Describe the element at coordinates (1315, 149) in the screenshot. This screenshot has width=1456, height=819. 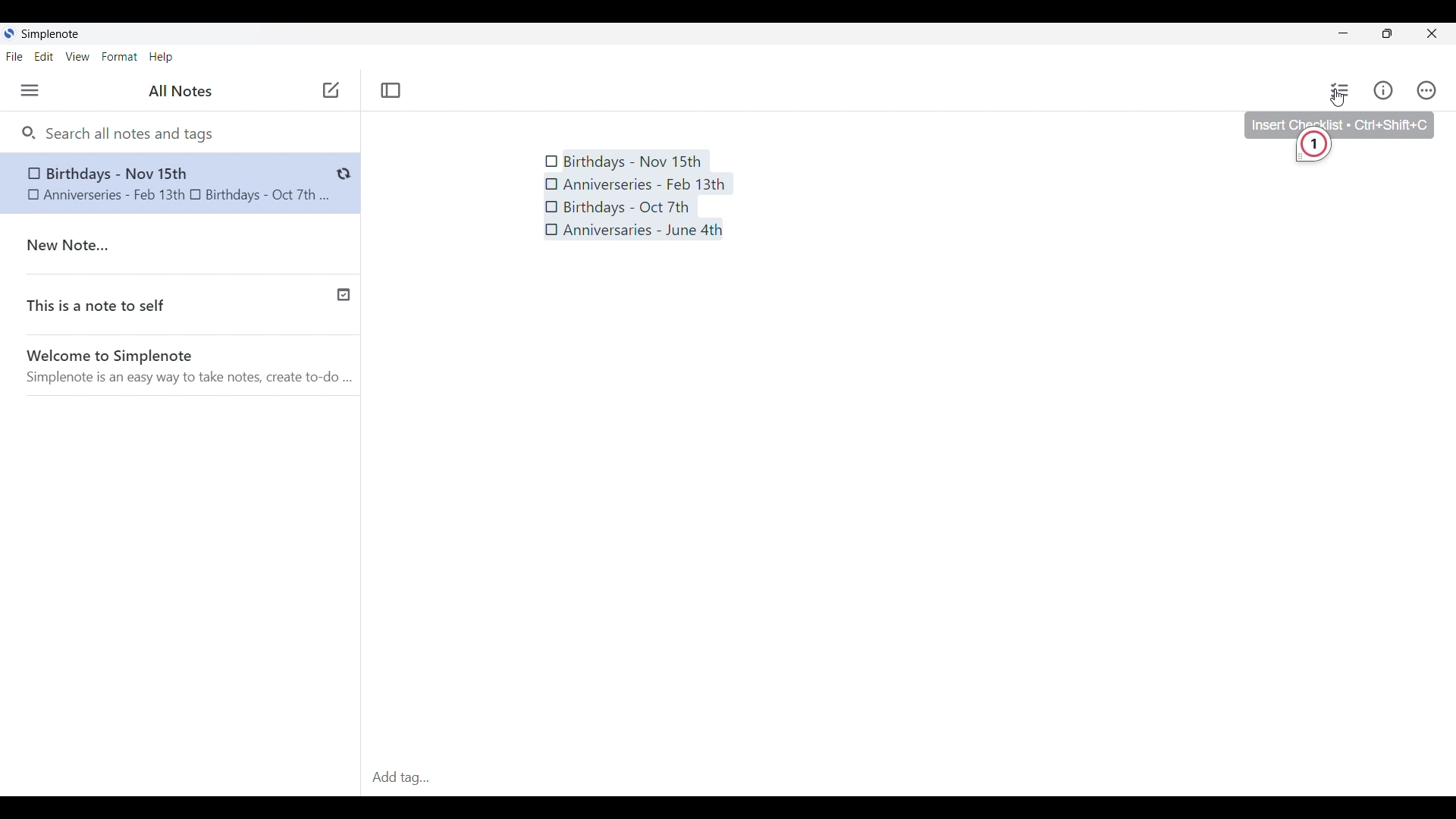
I see `Grammarly extension detecting 1 required change ` at that location.